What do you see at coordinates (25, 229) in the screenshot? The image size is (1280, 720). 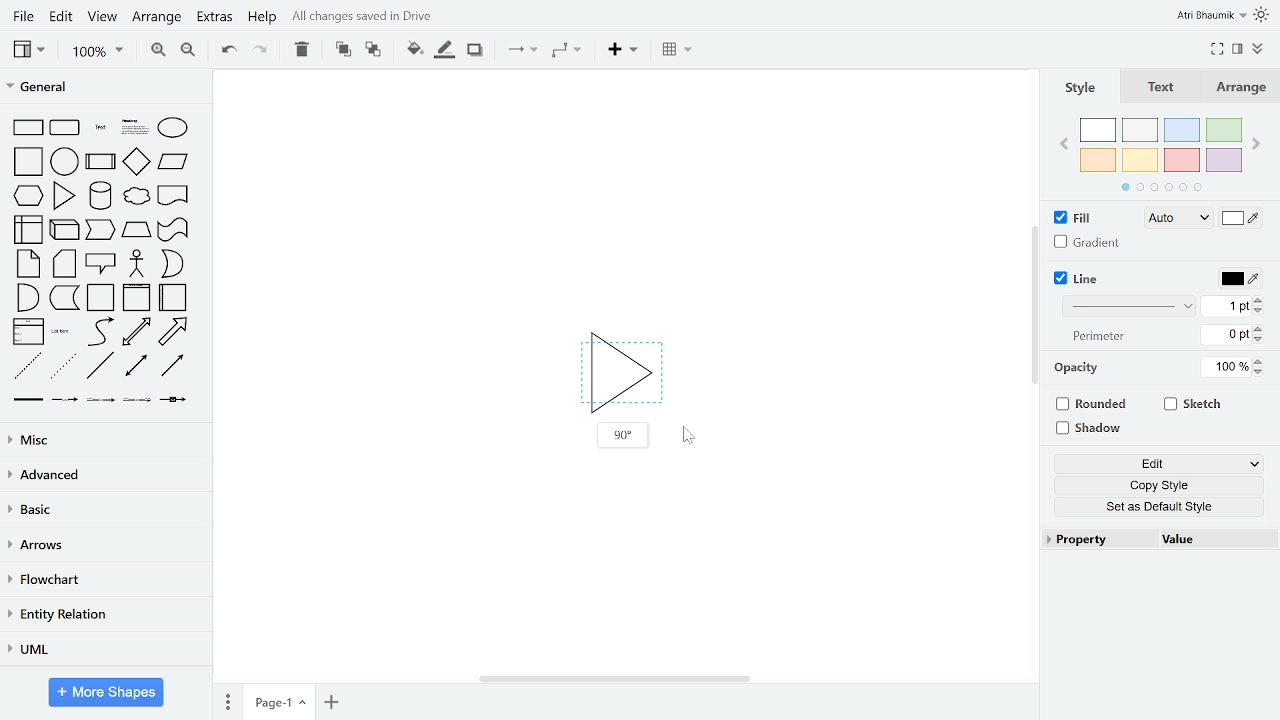 I see `internal storage` at bounding box center [25, 229].